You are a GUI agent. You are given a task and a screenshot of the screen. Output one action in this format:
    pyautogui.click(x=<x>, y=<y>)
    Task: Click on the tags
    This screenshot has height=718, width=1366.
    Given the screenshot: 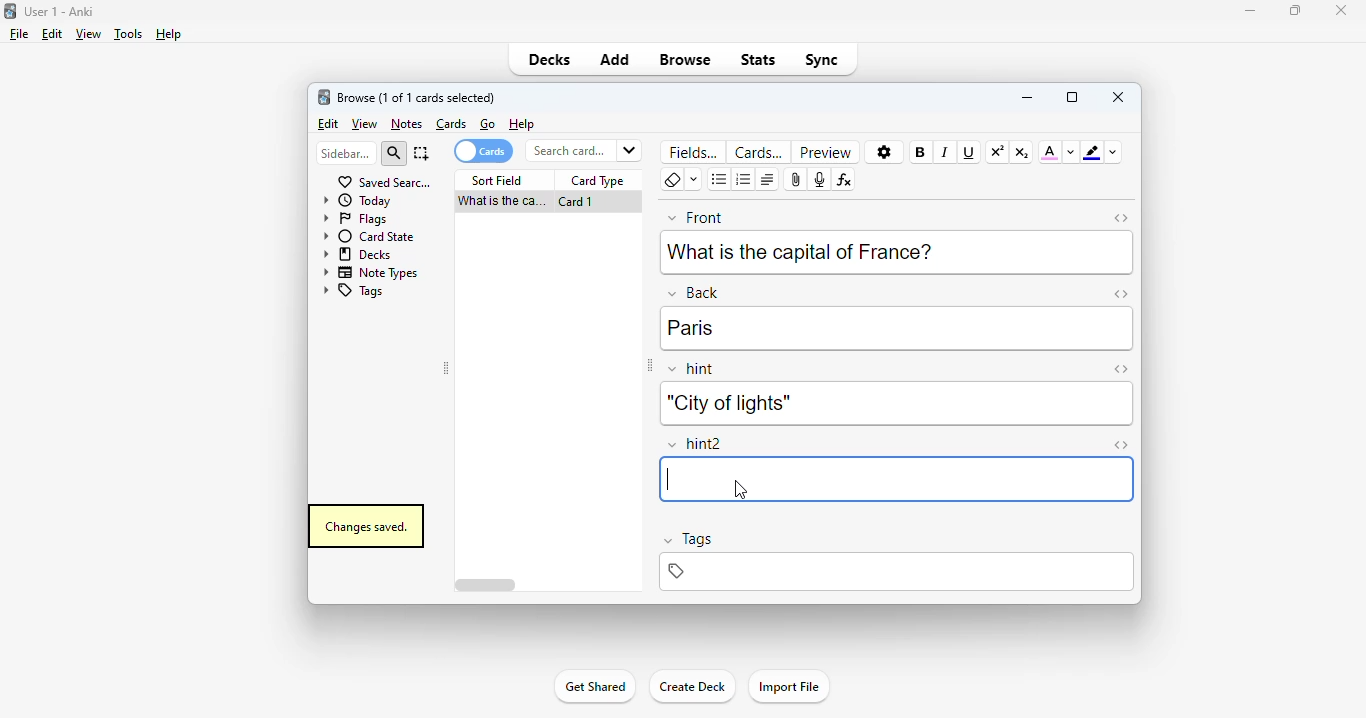 What is the action you would take?
    pyautogui.click(x=352, y=292)
    